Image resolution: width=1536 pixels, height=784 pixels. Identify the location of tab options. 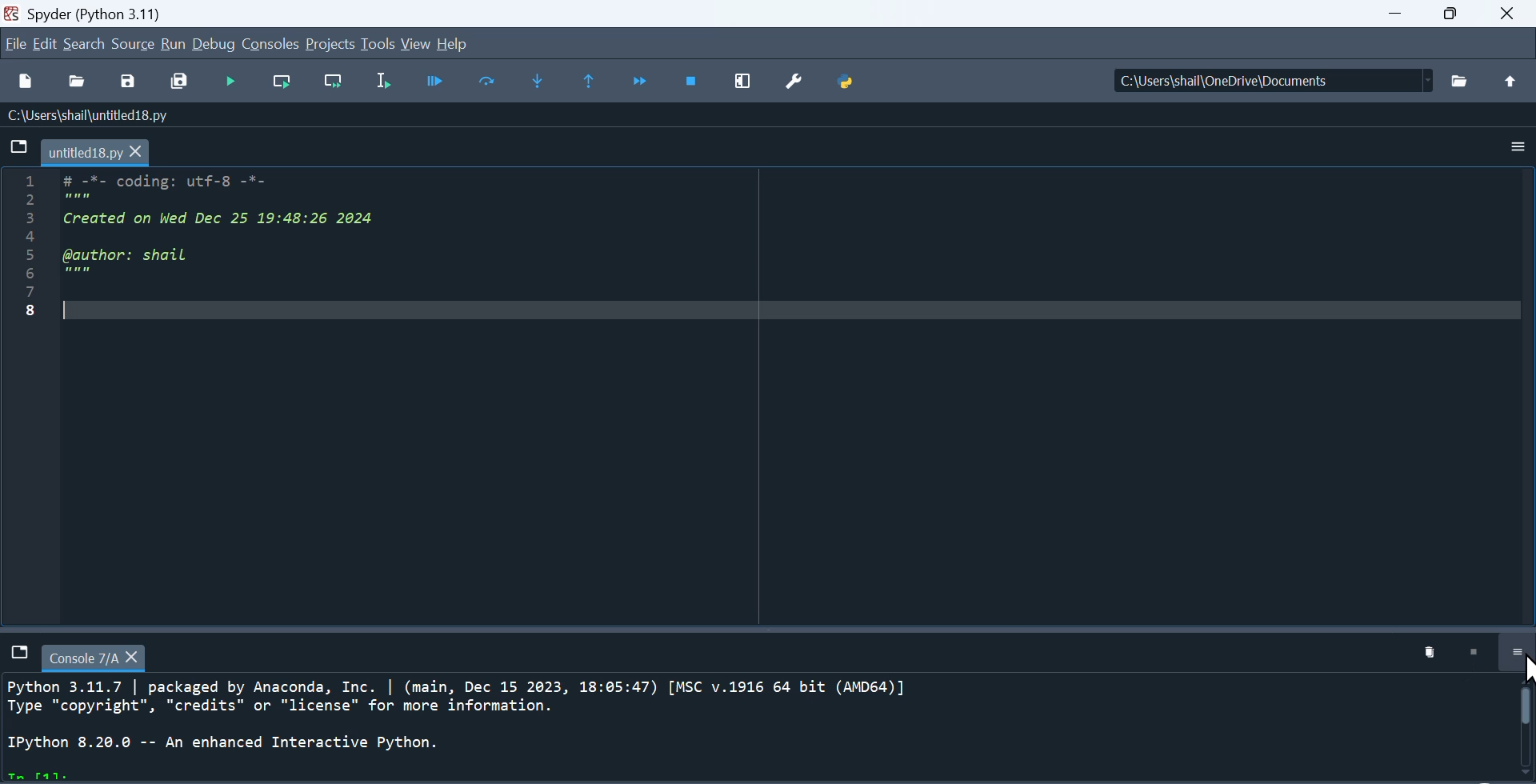
(18, 146).